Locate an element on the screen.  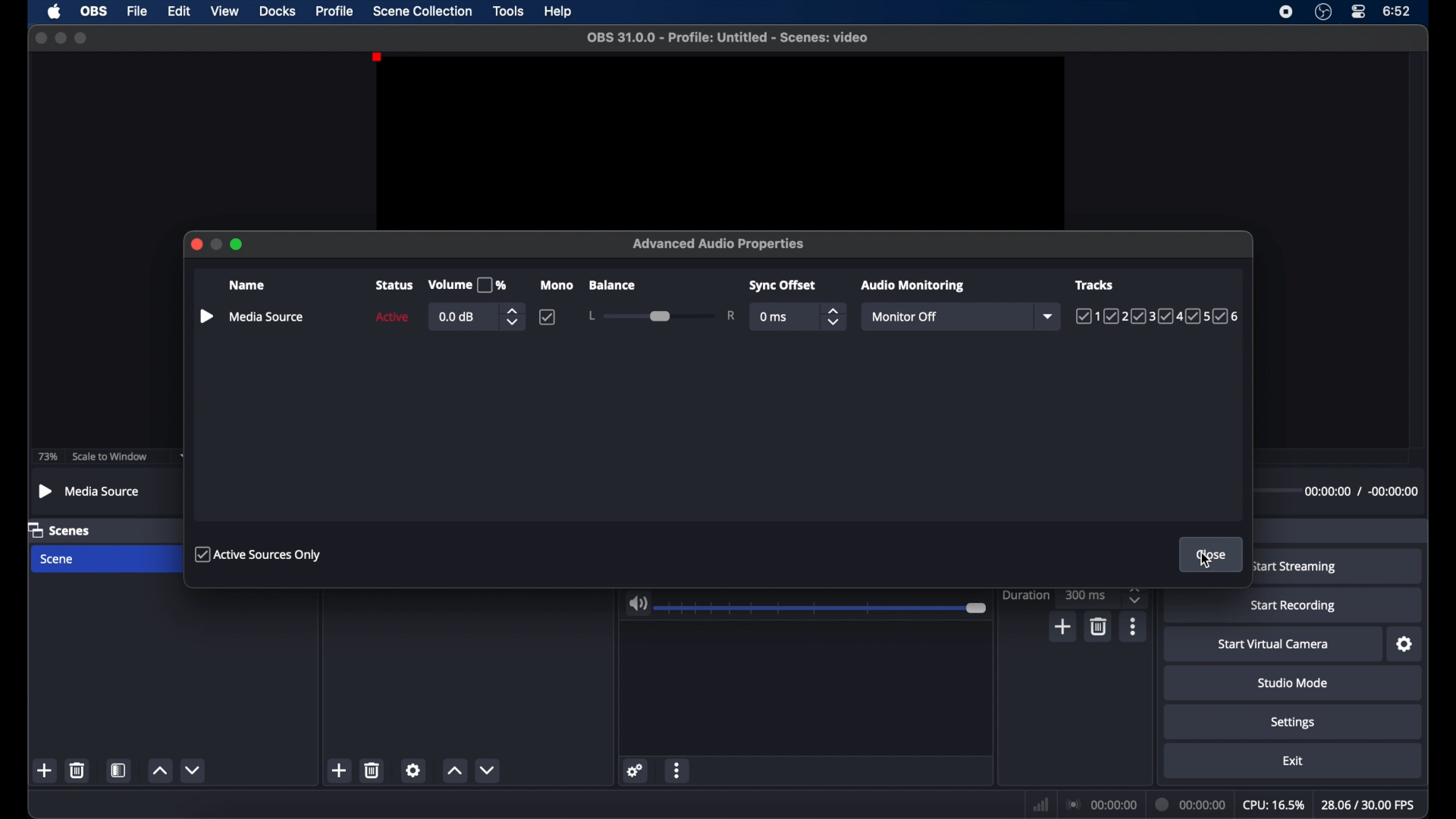
file is located at coordinates (137, 12).